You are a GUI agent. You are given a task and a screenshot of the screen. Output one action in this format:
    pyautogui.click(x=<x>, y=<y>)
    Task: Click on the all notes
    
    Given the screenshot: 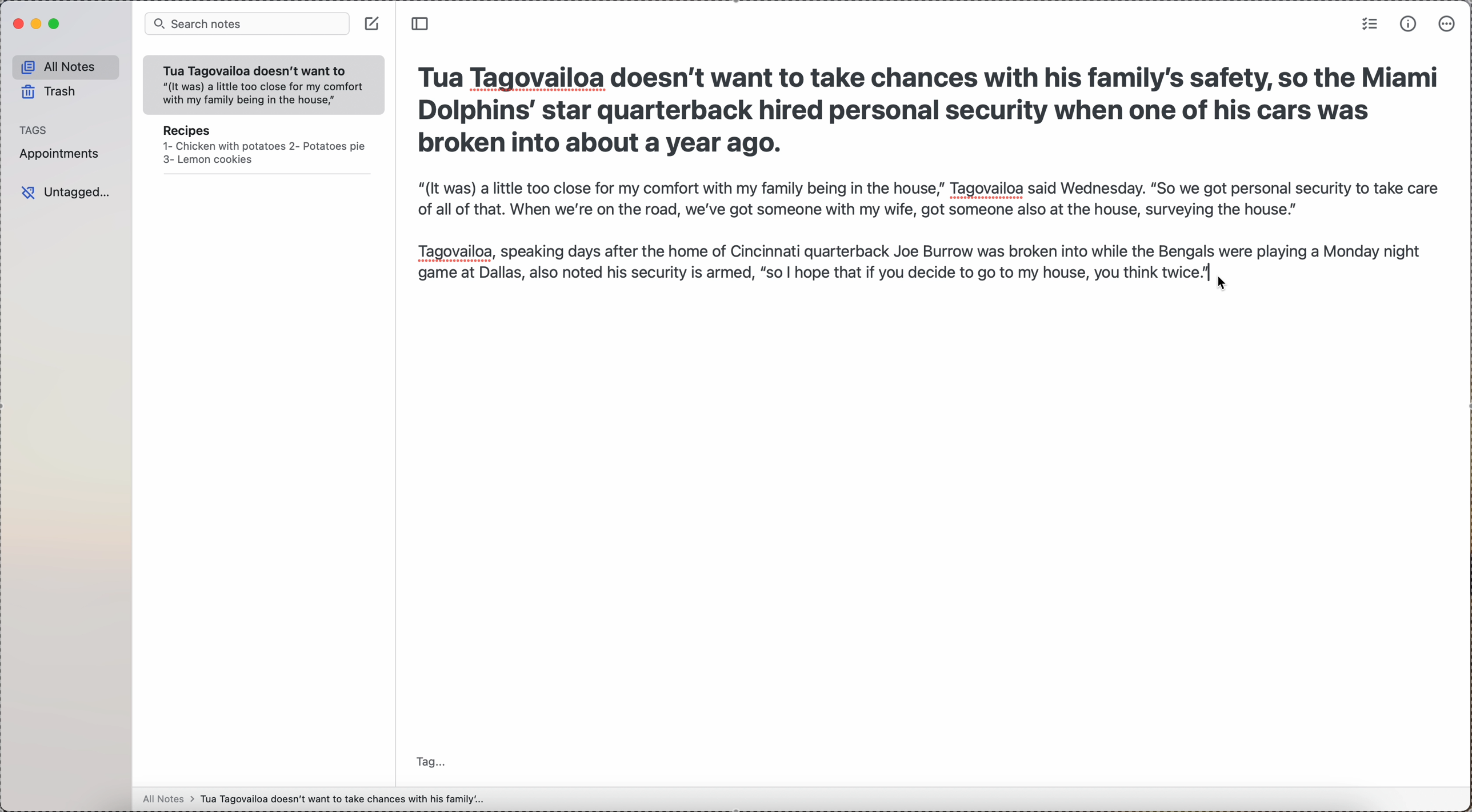 What is the action you would take?
    pyautogui.click(x=65, y=66)
    